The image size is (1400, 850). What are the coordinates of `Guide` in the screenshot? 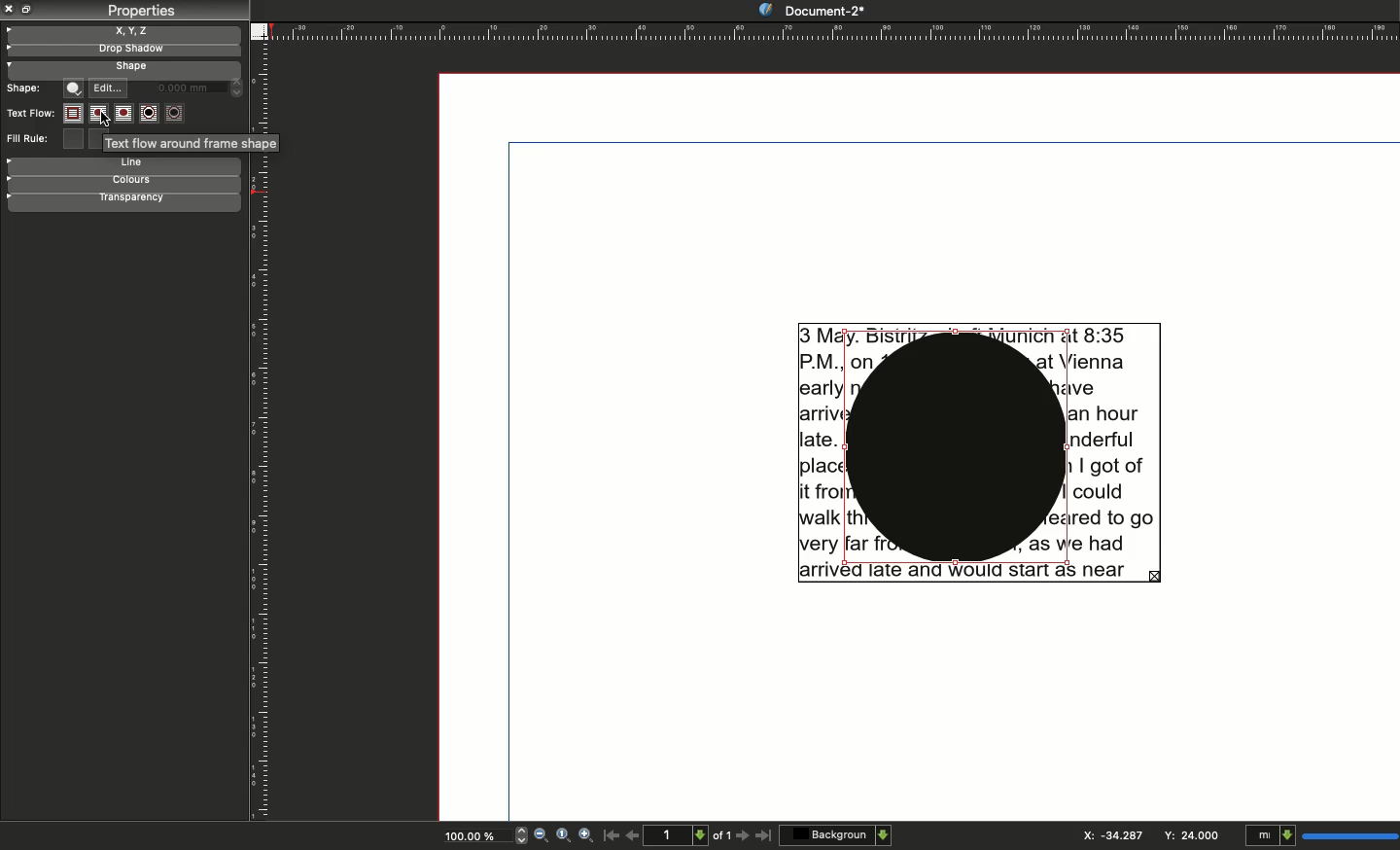 It's located at (9, 30).